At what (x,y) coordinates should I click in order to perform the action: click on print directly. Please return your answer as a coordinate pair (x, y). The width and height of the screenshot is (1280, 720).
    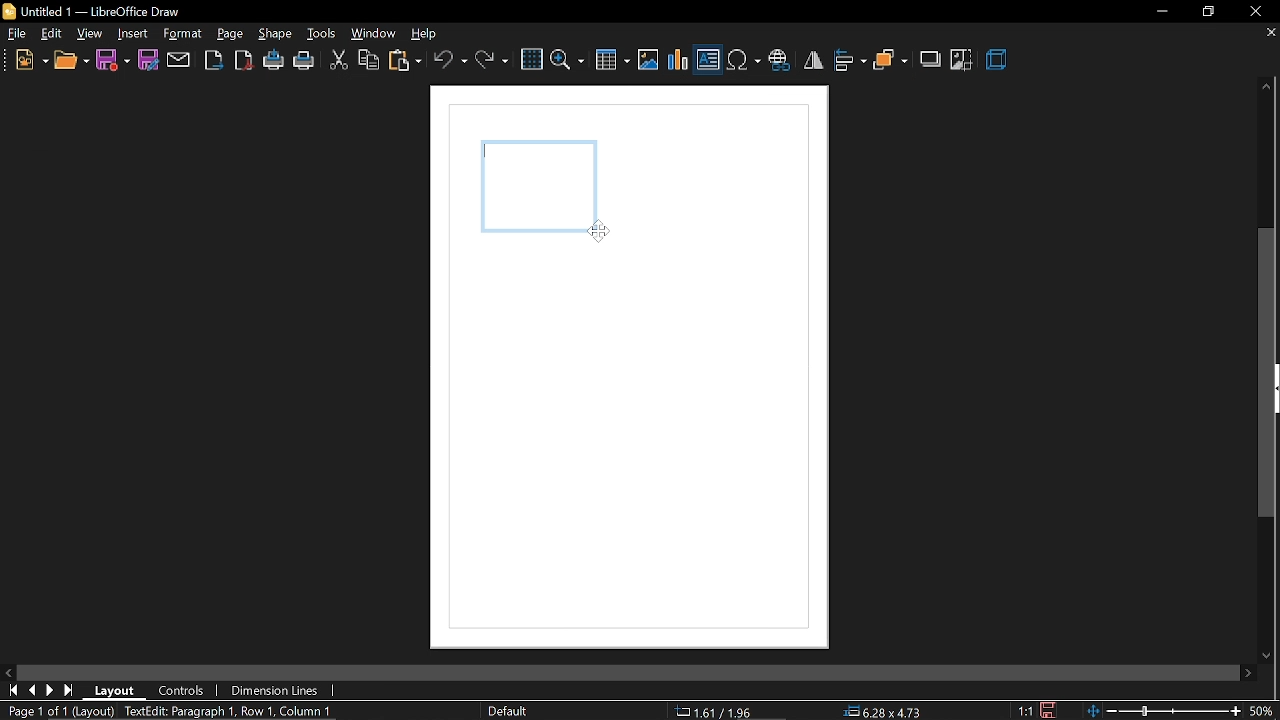
    Looking at the image, I should click on (275, 61).